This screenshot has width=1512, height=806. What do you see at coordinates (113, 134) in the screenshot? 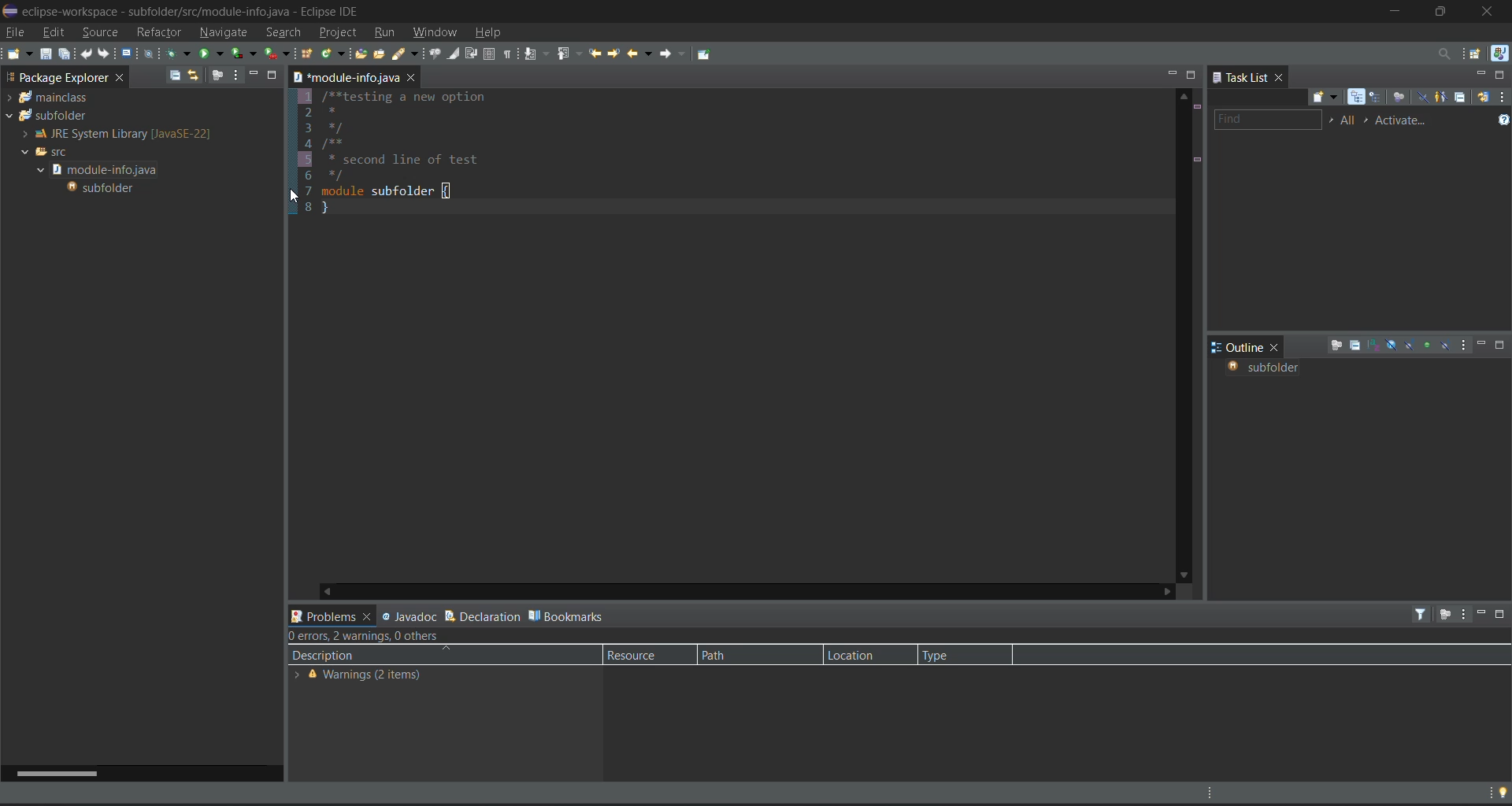
I see `JRE System Library [JavaSE-22]` at bounding box center [113, 134].